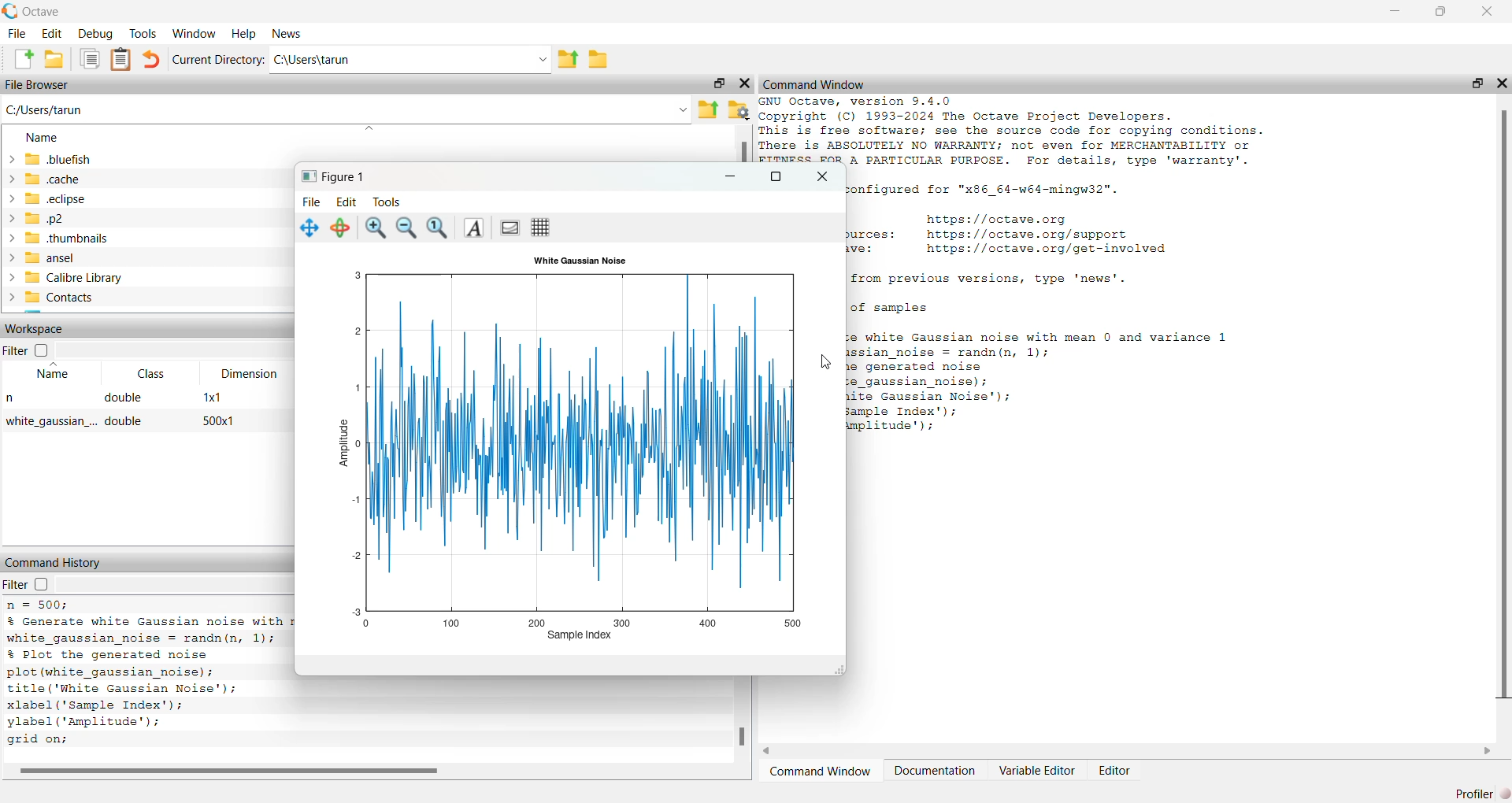  What do you see at coordinates (46, 350) in the screenshot?
I see `checkbox` at bounding box center [46, 350].